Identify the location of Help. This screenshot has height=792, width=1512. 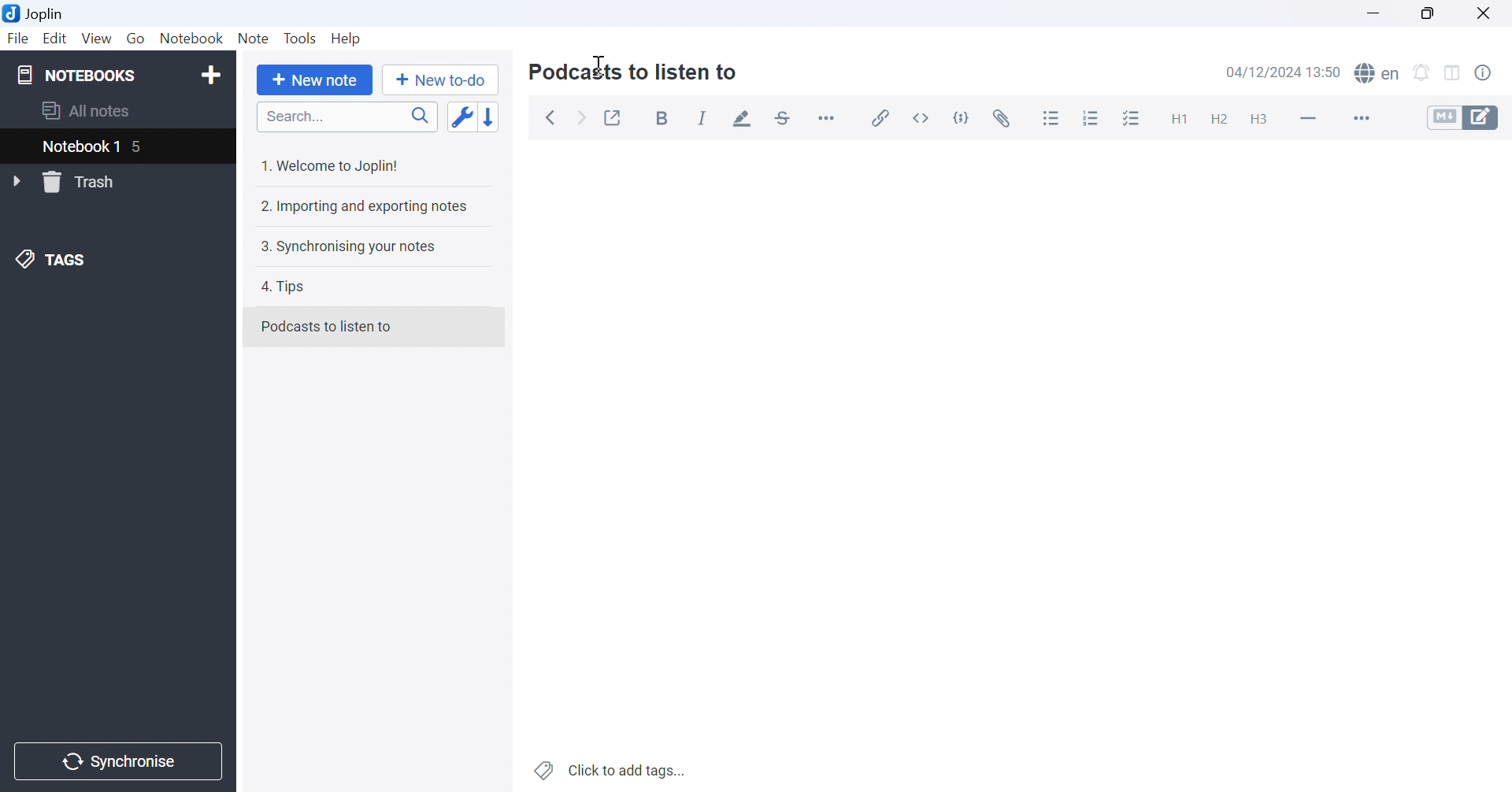
(350, 39).